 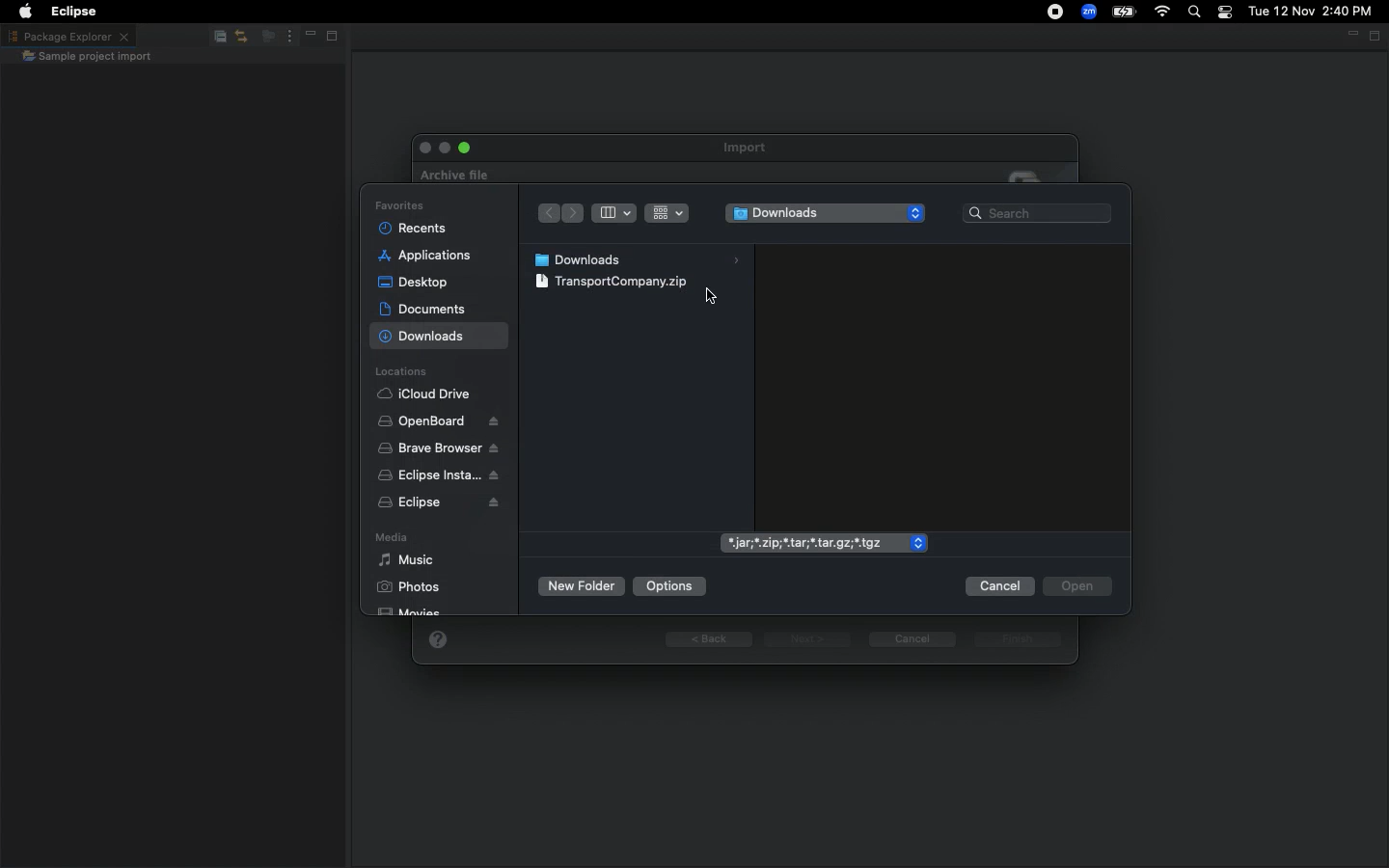 What do you see at coordinates (1126, 12) in the screenshot?
I see `Charge` at bounding box center [1126, 12].